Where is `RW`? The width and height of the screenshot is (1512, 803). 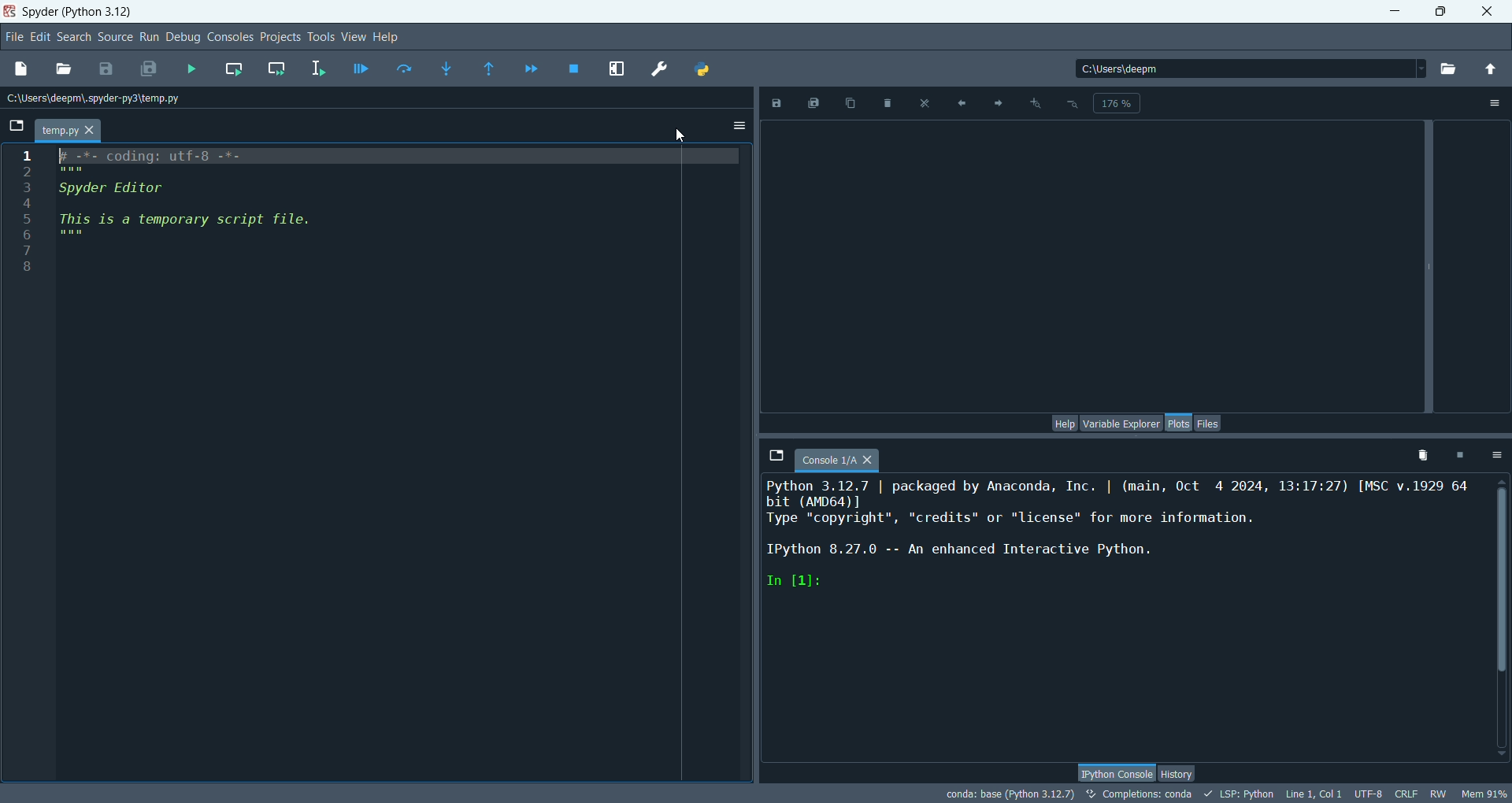 RW is located at coordinates (1440, 793).